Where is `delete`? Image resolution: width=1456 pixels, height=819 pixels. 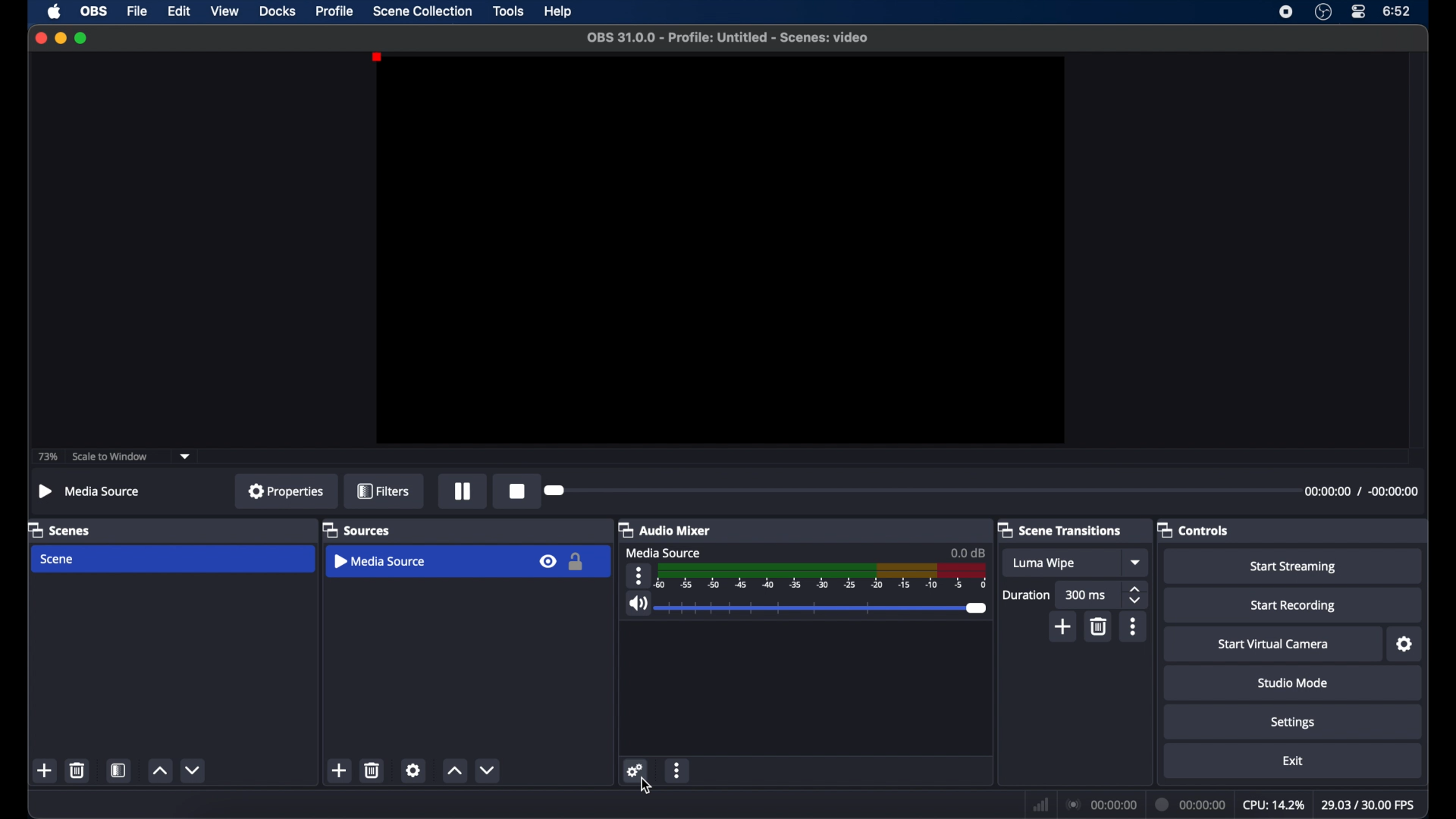
delete is located at coordinates (372, 770).